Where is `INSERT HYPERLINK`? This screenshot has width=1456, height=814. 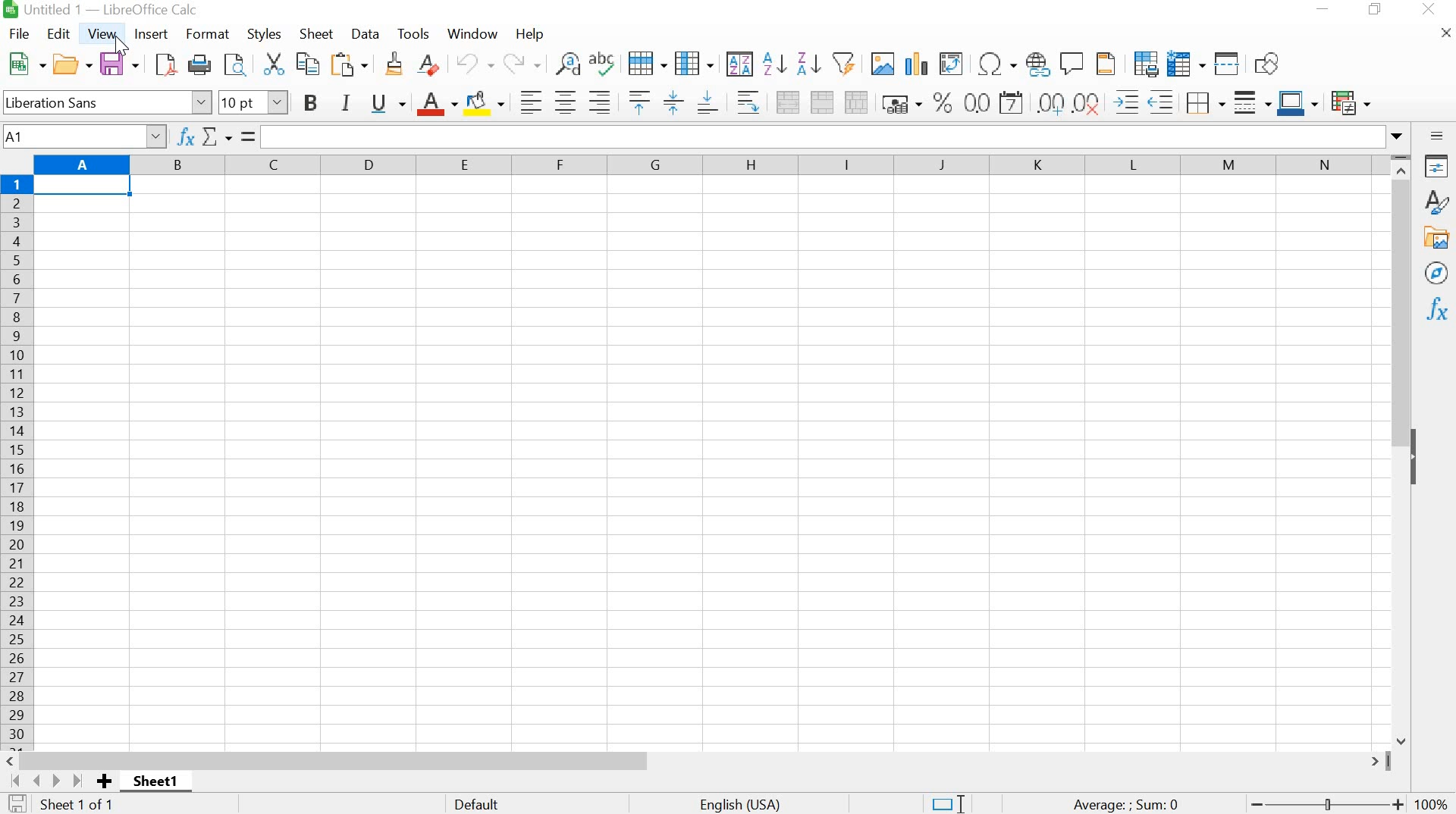 INSERT HYPERLINK is located at coordinates (1038, 64).